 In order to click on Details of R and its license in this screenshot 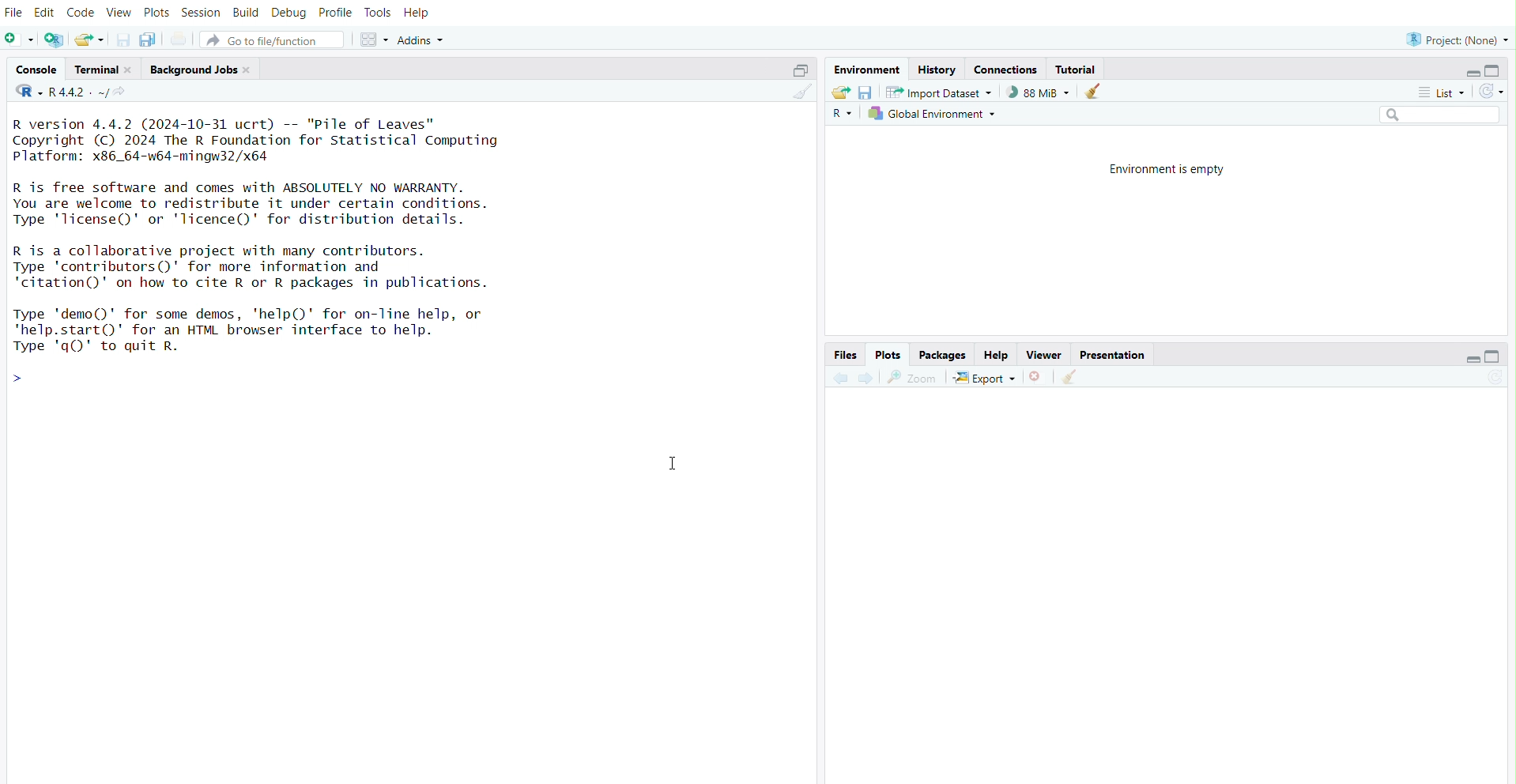, I will do `click(289, 203)`.